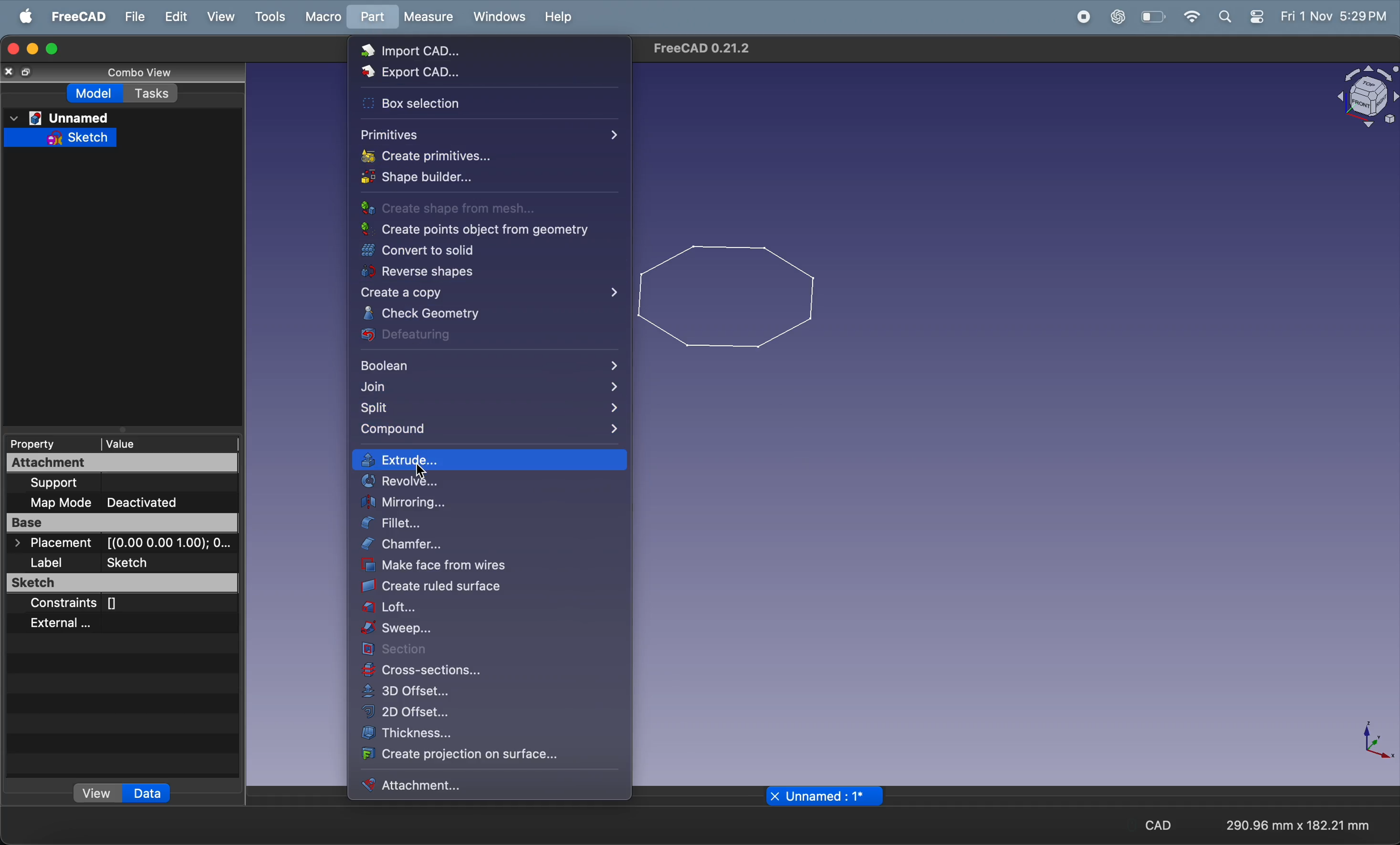  Describe the element at coordinates (487, 157) in the screenshot. I see `create primitives` at that location.